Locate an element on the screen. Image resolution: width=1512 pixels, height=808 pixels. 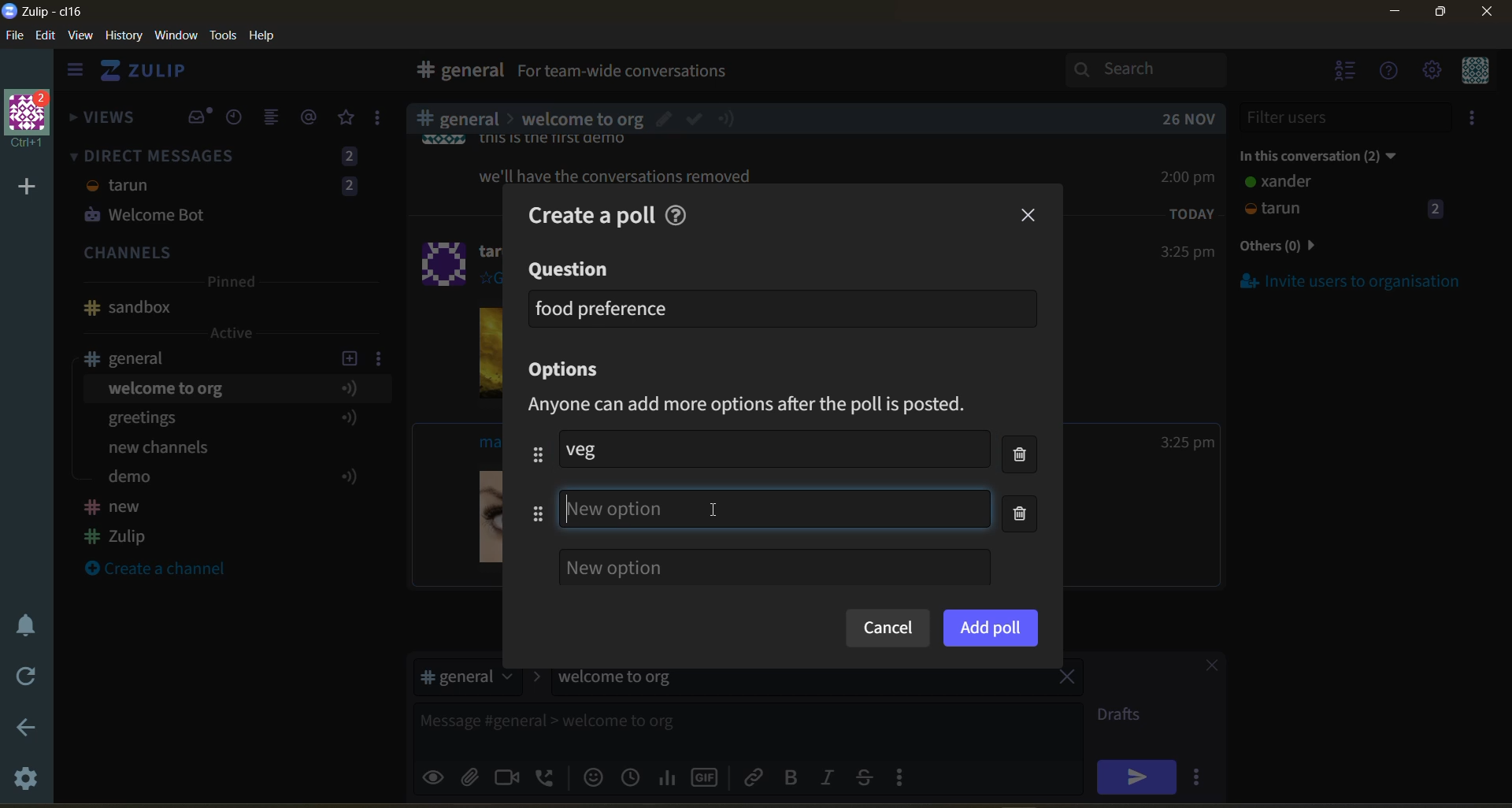
strikethrough is located at coordinates (869, 776).